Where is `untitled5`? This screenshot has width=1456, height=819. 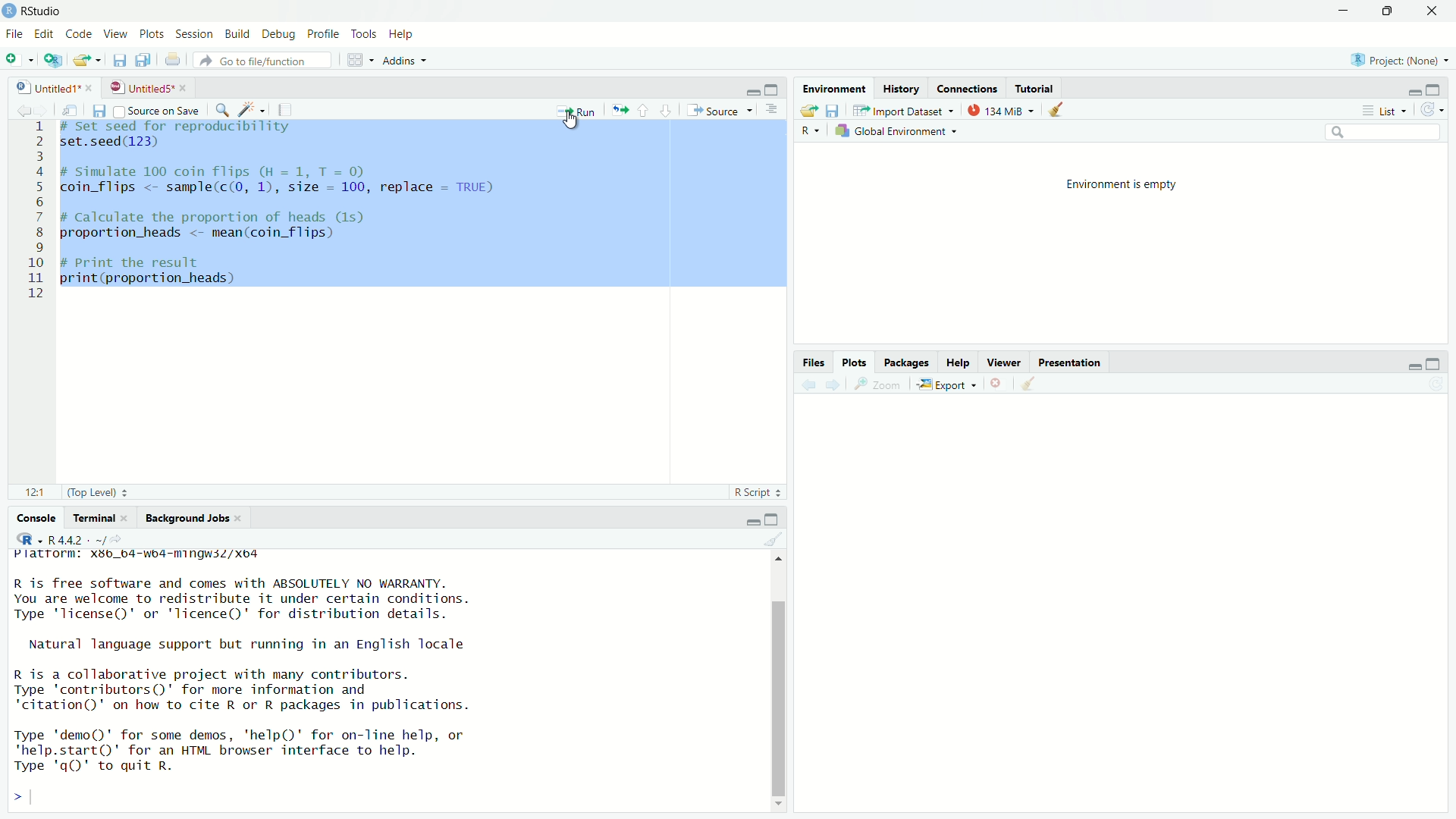 untitled5 is located at coordinates (139, 87).